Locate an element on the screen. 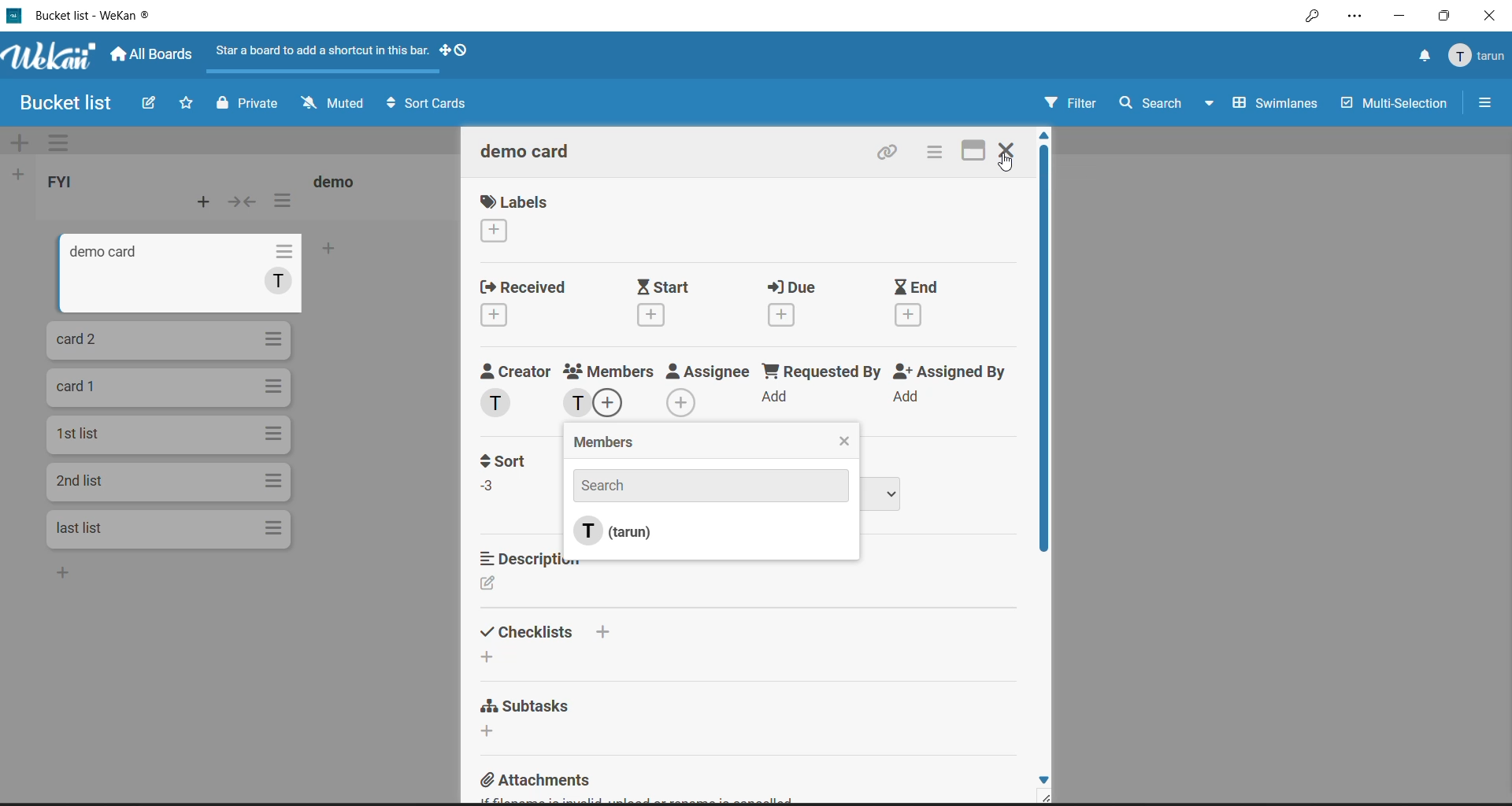 The width and height of the screenshot is (1512, 806). text is located at coordinates (279, 284).